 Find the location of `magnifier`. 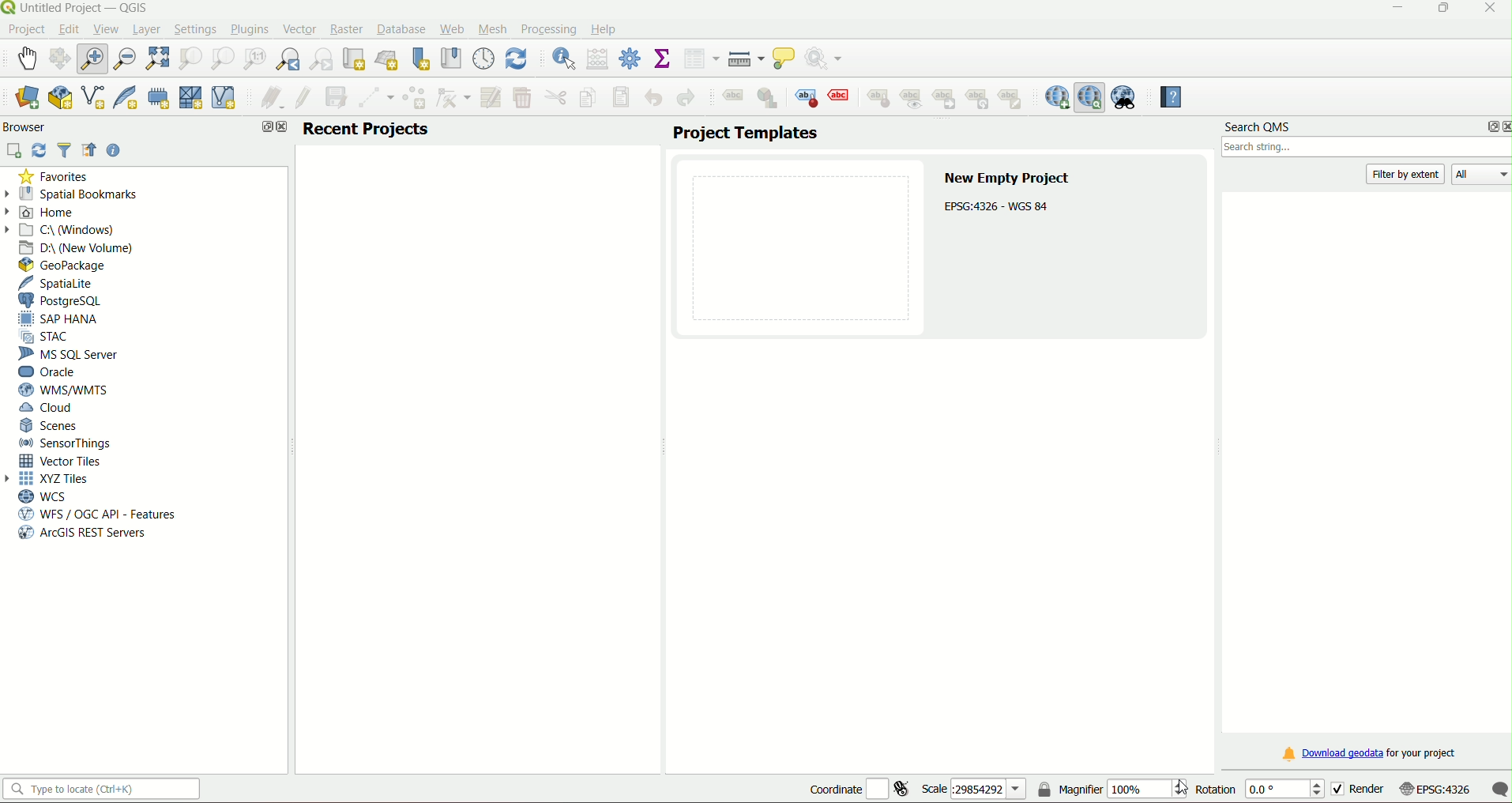

magnifier is located at coordinates (1111, 788).